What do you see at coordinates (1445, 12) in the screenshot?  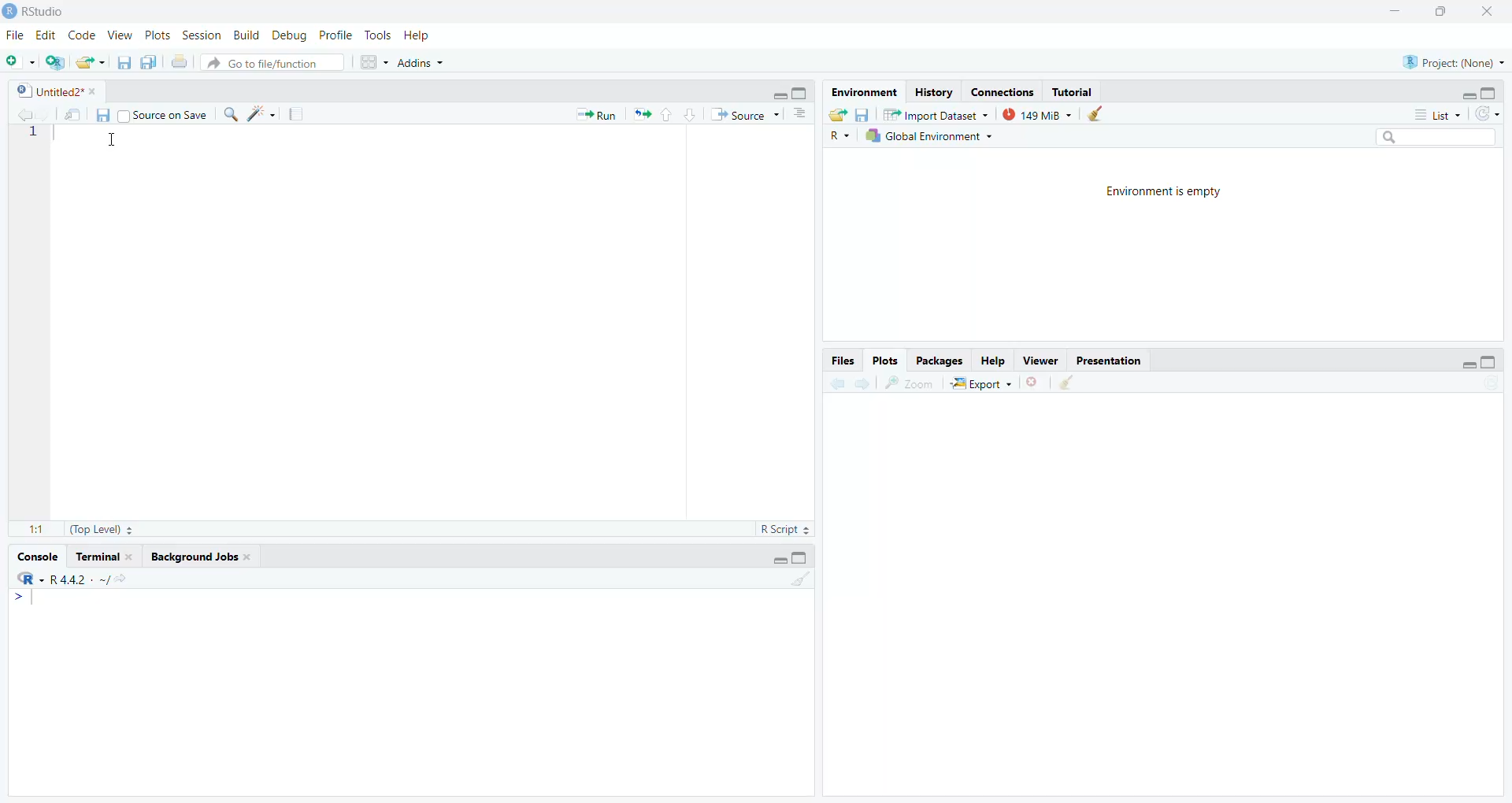 I see `Maximize/Restore` at bounding box center [1445, 12].